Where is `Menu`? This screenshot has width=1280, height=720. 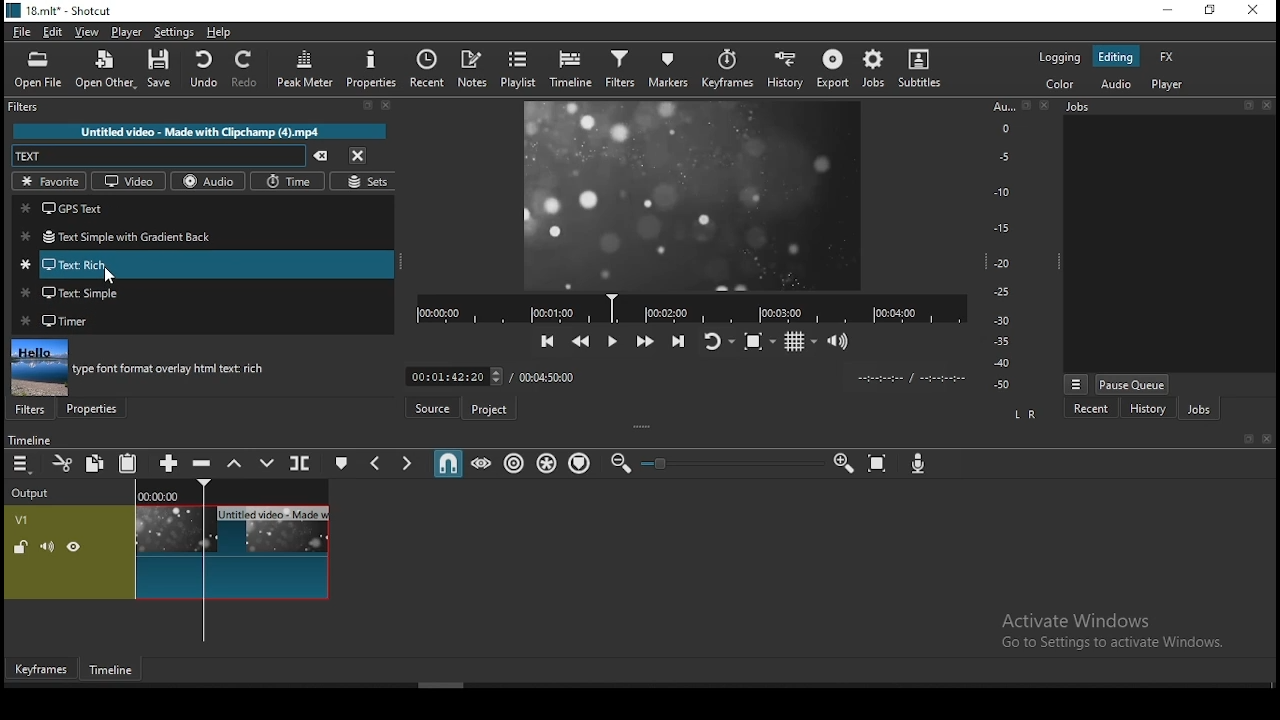
Menu is located at coordinates (1076, 384).